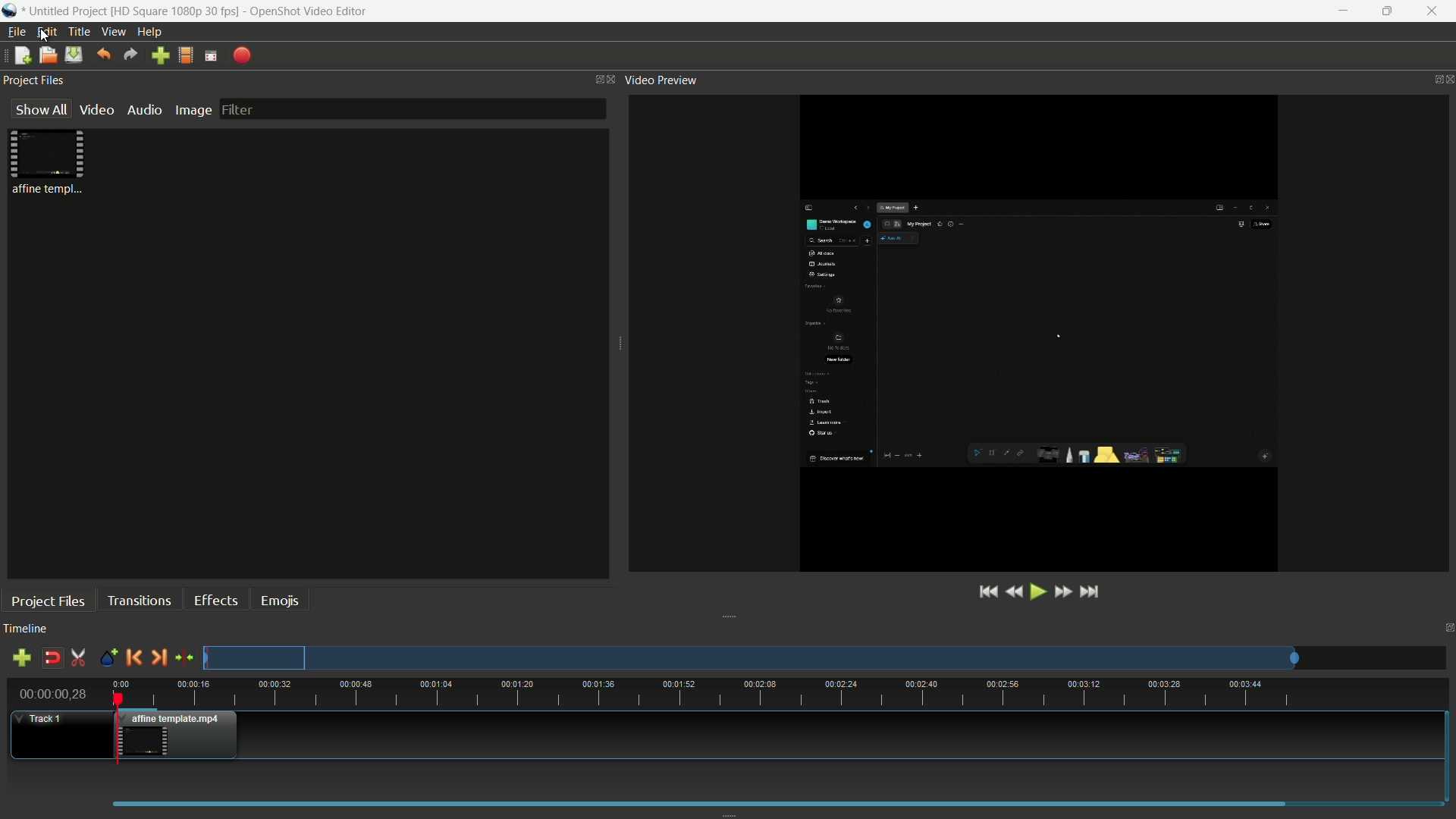 The height and width of the screenshot is (819, 1456). Describe the element at coordinates (152, 33) in the screenshot. I see `help menu` at that location.